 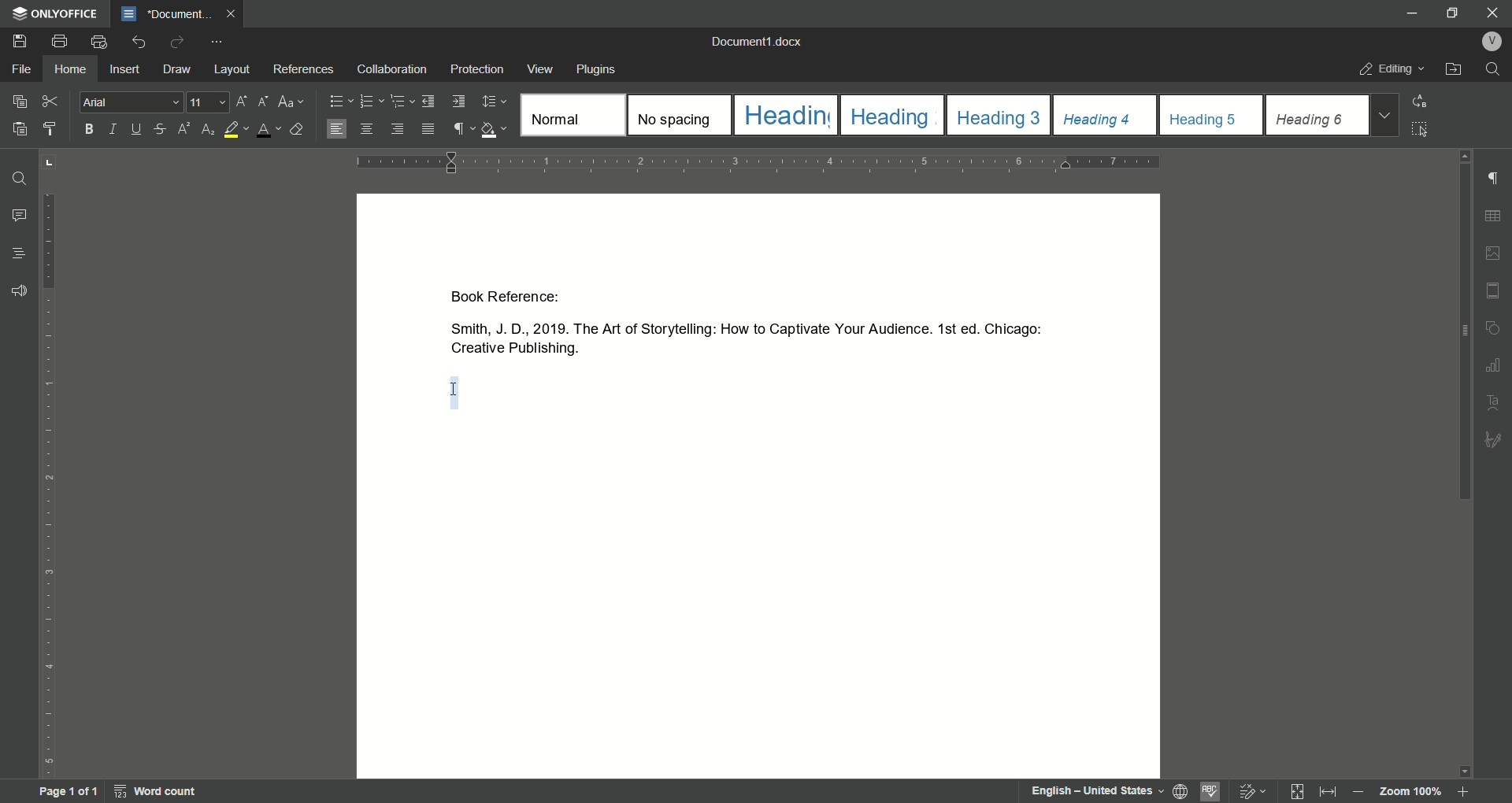 What do you see at coordinates (292, 102) in the screenshot?
I see `change case` at bounding box center [292, 102].